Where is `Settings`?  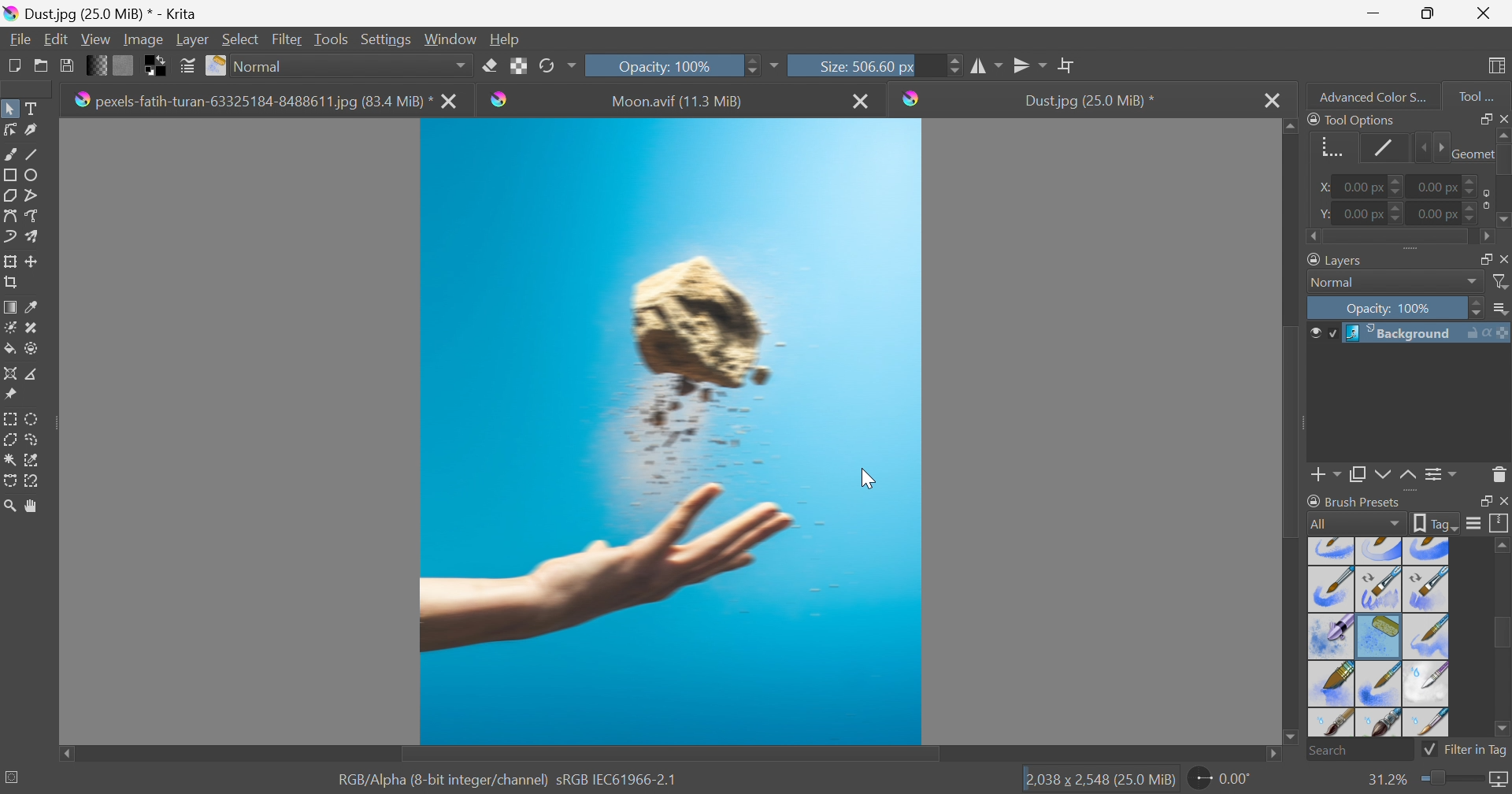
Settings is located at coordinates (388, 39).